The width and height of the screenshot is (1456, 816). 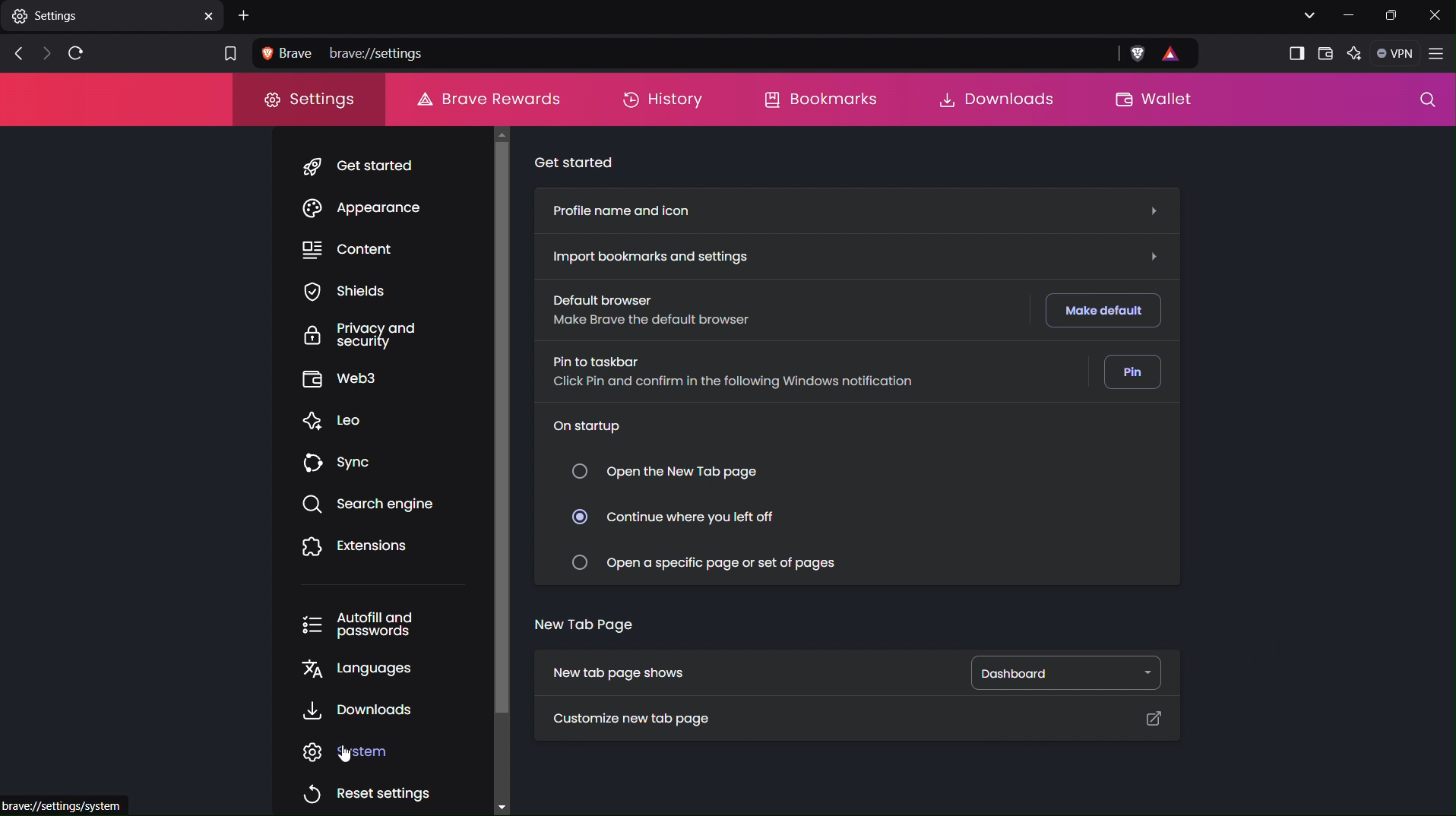 I want to click on , so click(x=69, y=805).